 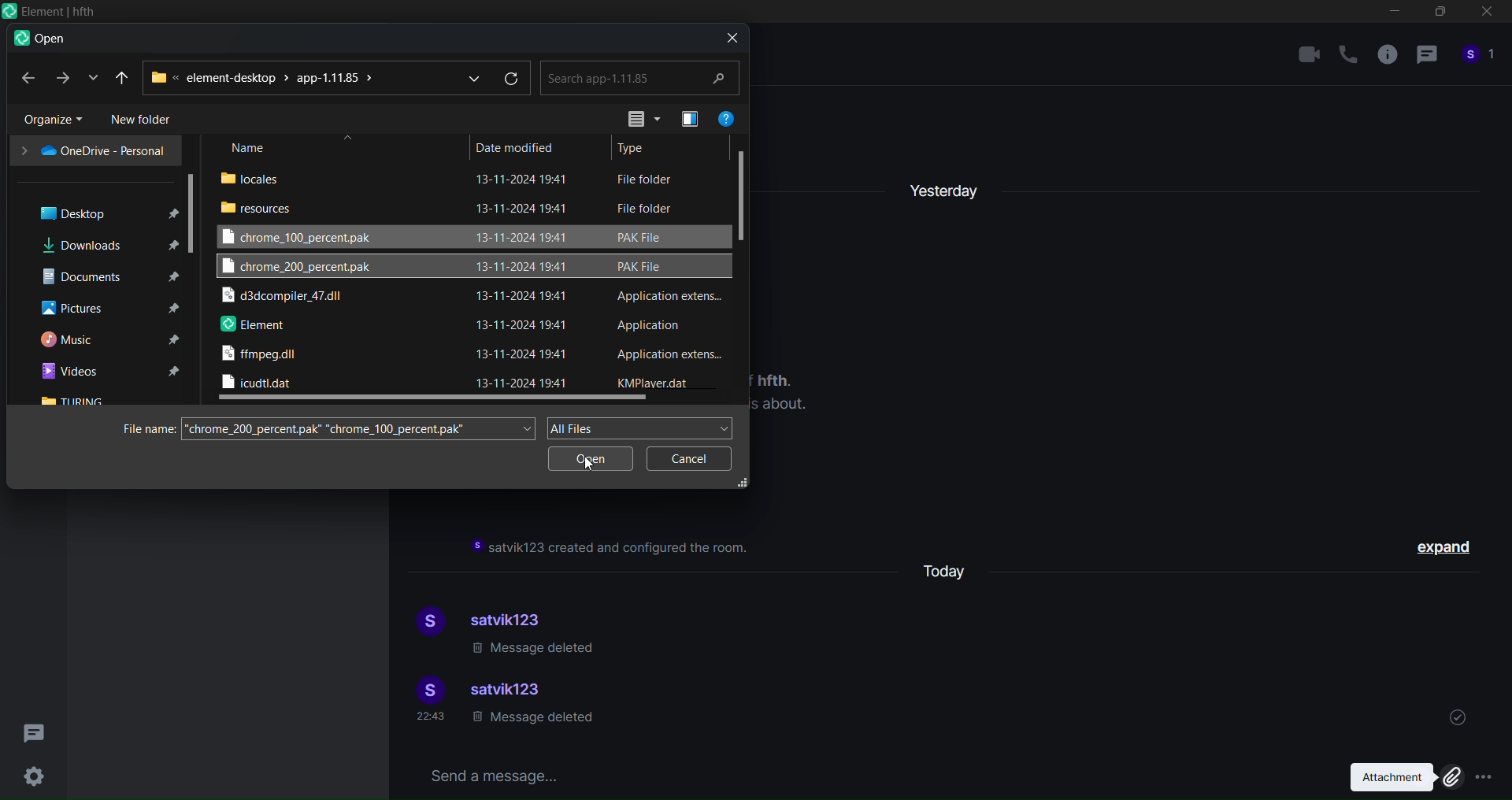 What do you see at coordinates (526, 280) in the screenshot?
I see `date` at bounding box center [526, 280].